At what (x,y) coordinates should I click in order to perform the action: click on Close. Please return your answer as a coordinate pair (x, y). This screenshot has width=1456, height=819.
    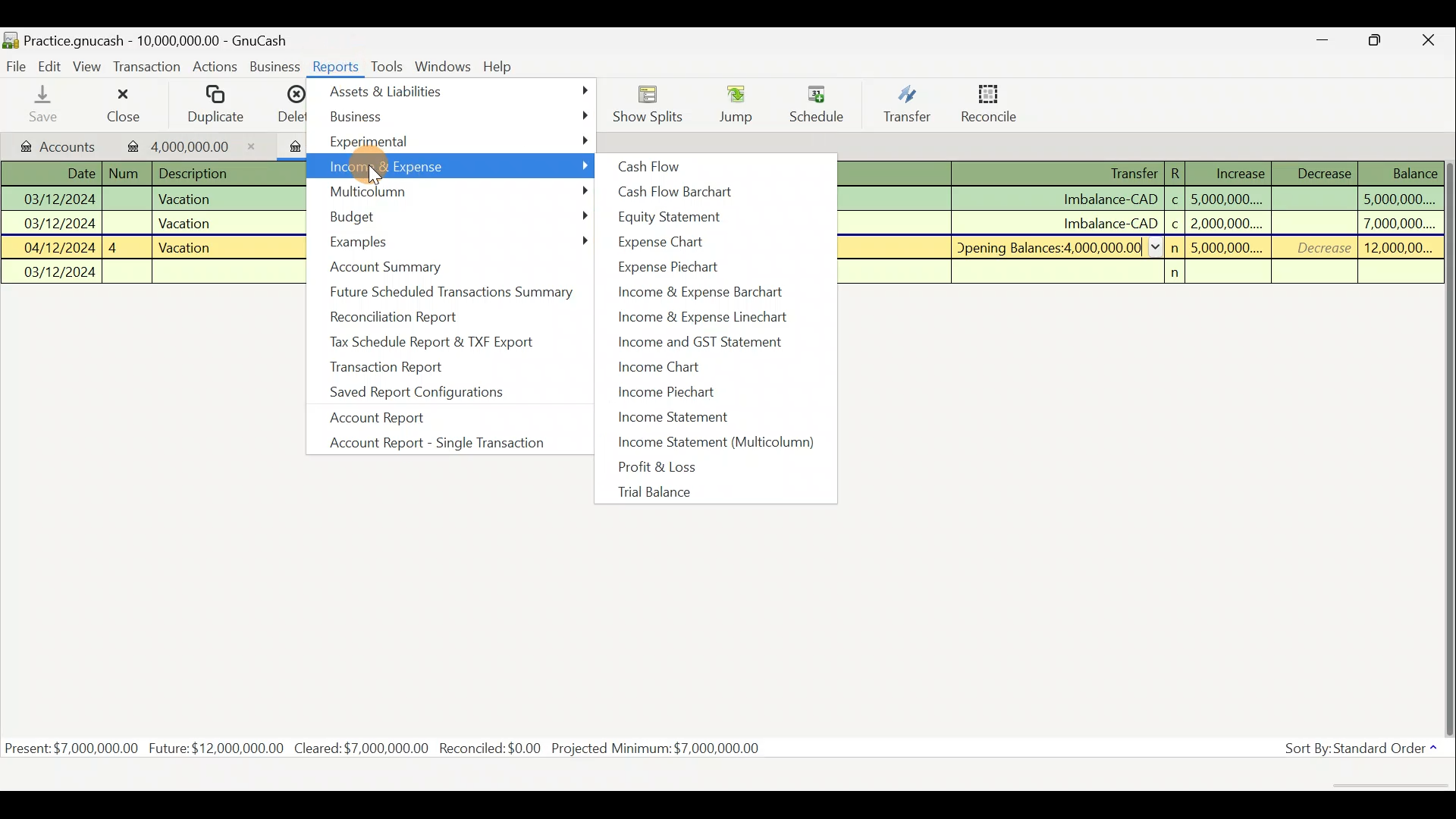
    Looking at the image, I should click on (121, 103).